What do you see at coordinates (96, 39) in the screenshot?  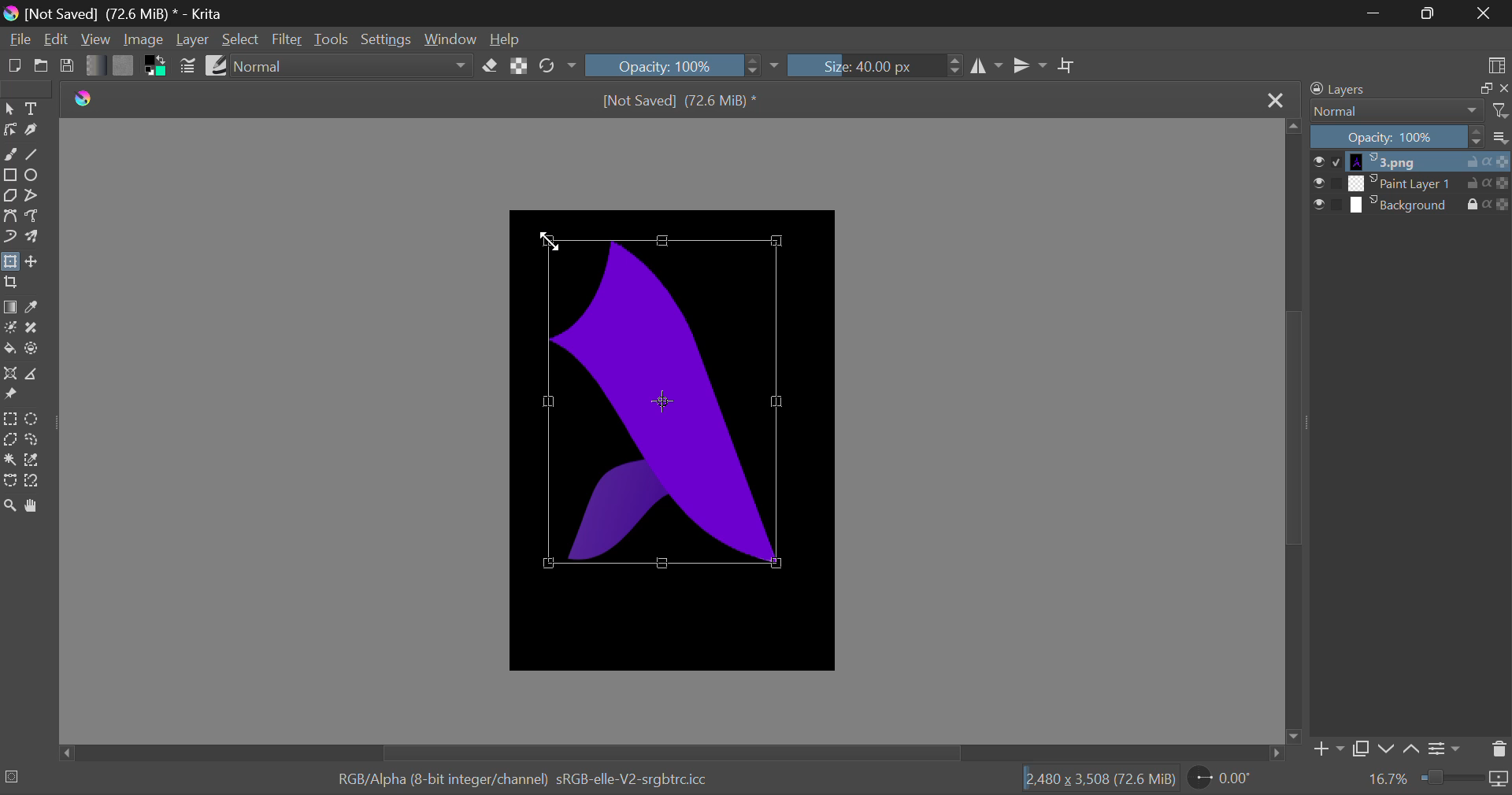 I see `View` at bounding box center [96, 39].